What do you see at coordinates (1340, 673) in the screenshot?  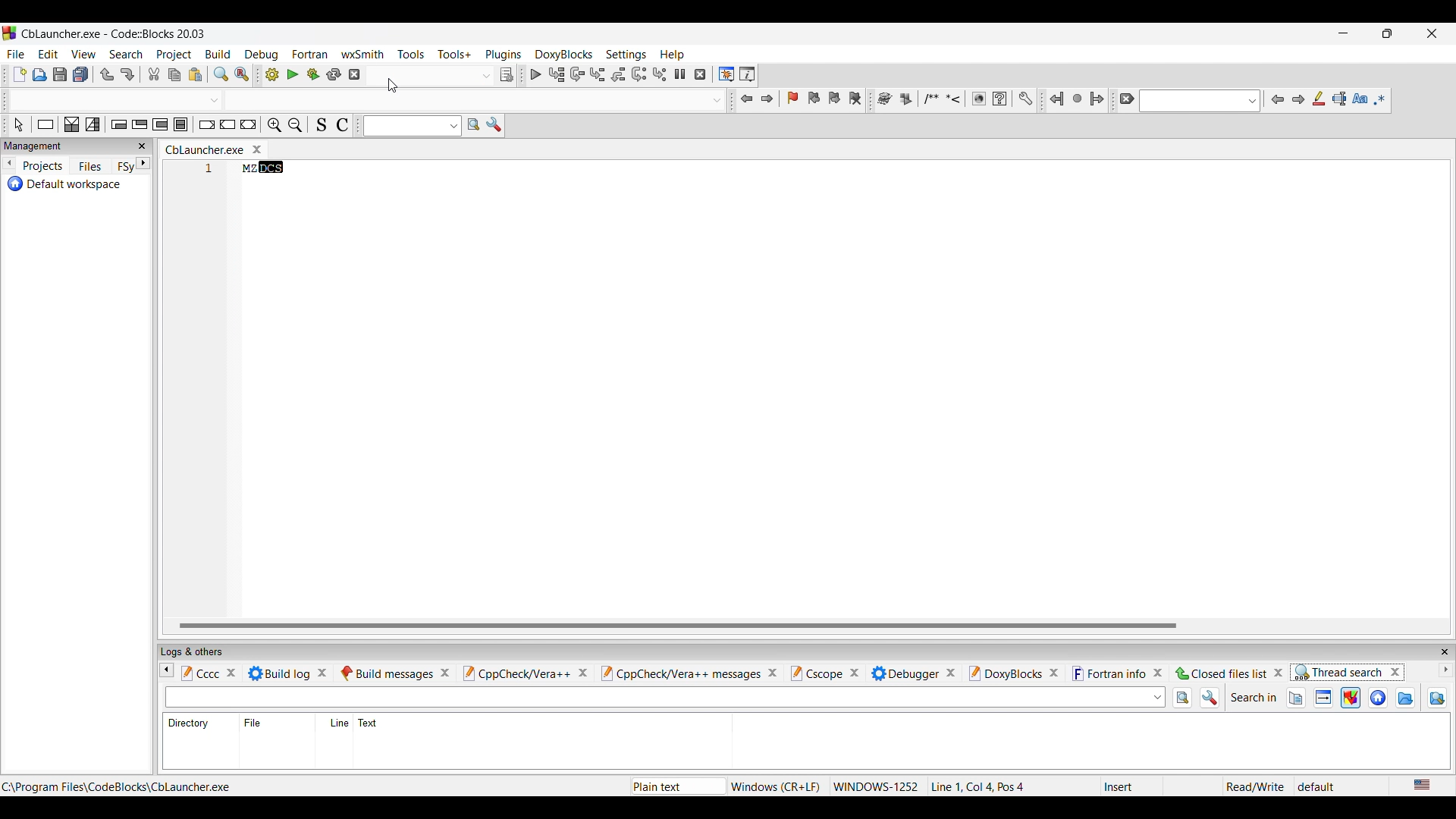 I see `Thread search` at bounding box center [1340, 673].